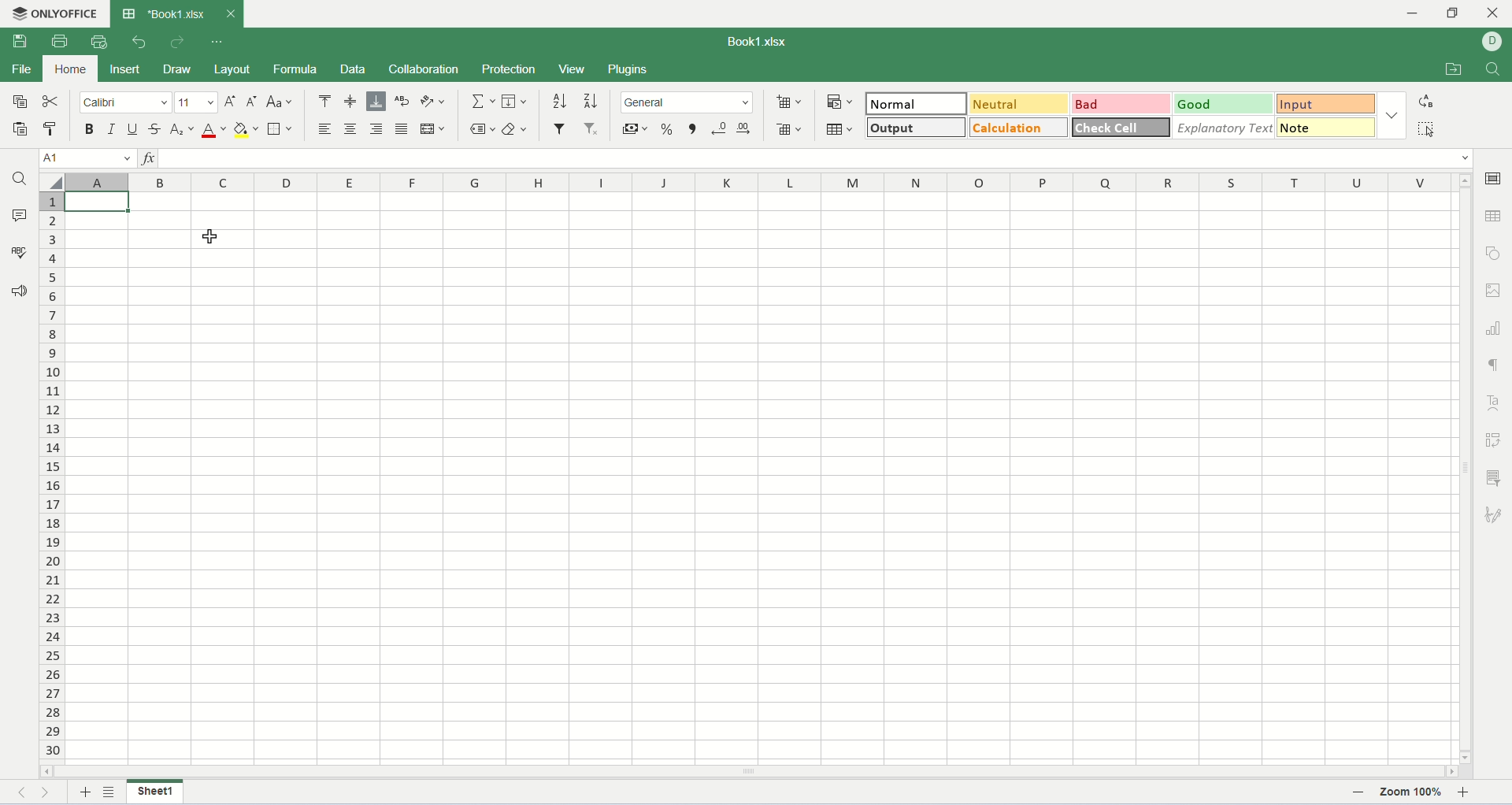 The height and width of the screenshot is (805, 1512). Describe the element at coordinates (483, 131) in the screenshot. I see `named ranges` at that location.